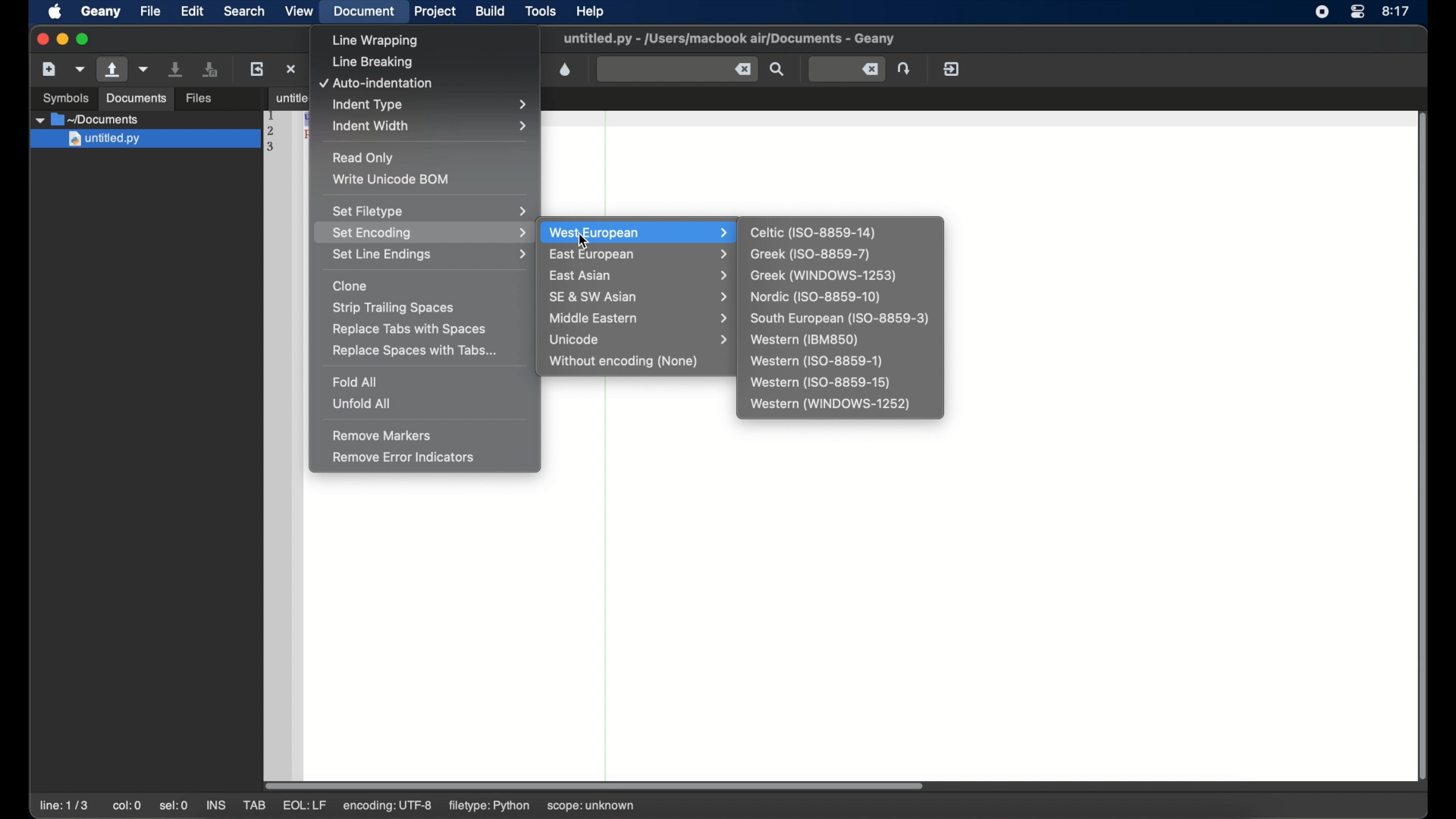 This screenshot has width=1456, height=819. What do you see at coordinates (394, 309) in the screenshot?
I see `strip trailing spaces` at bounding box center [394, 309].